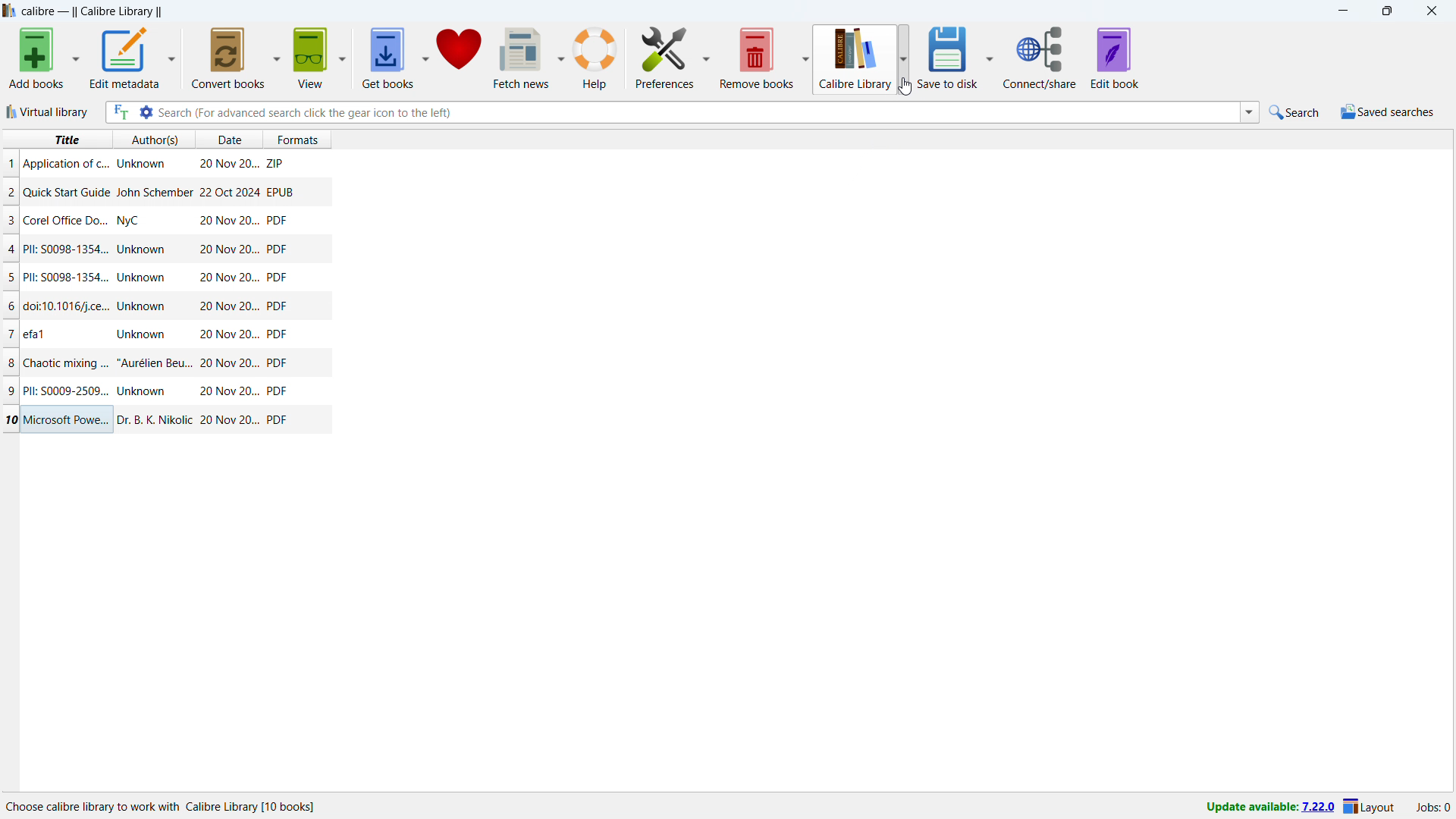 Image resolution: width=1456 pixels, height=819 pixels. I want to click on Date, so click(227, 391).